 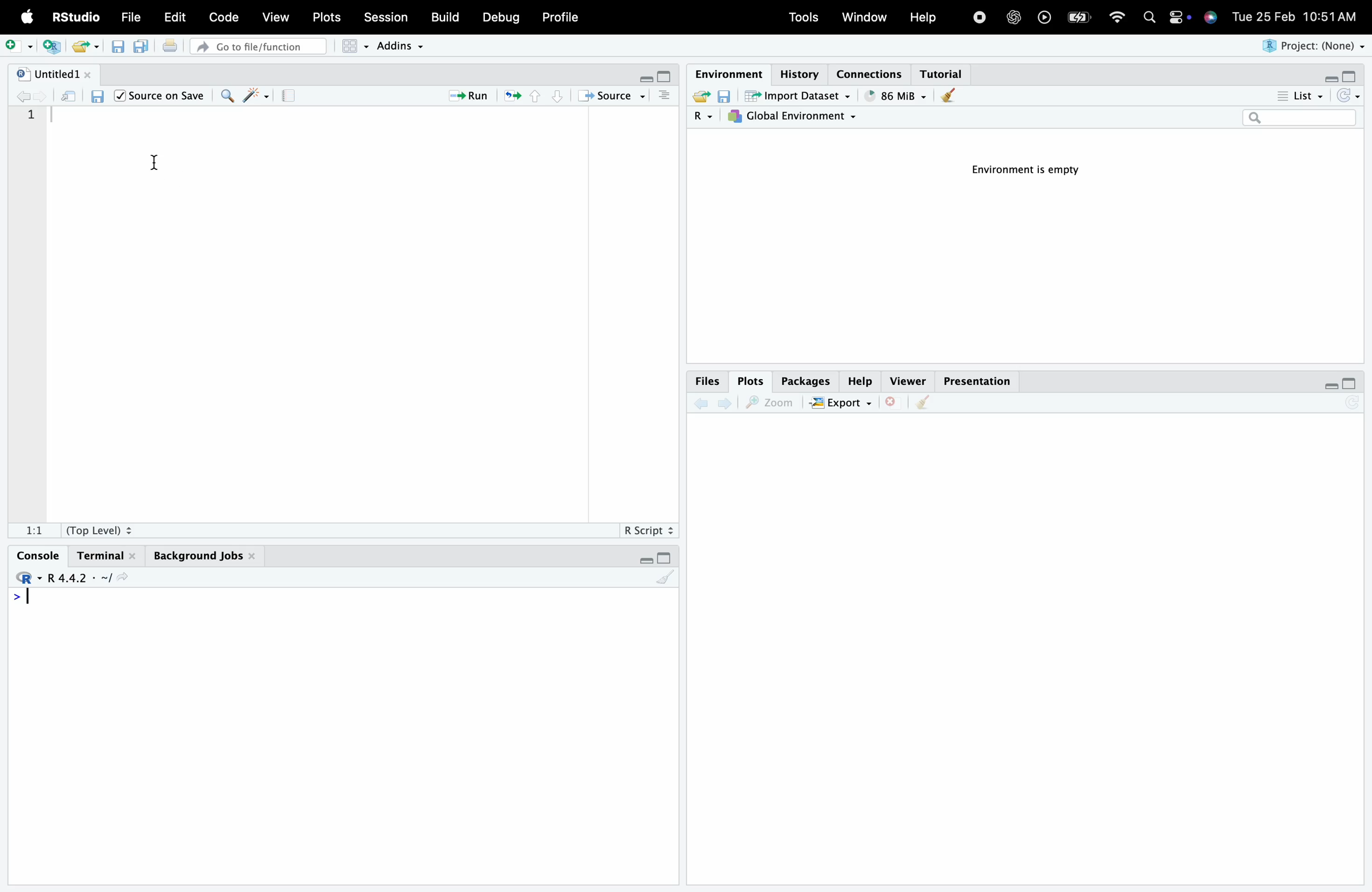 What do you see at coordinates (42, 120) in the screenshot?
I see `1` at bounding box center [42, 120].